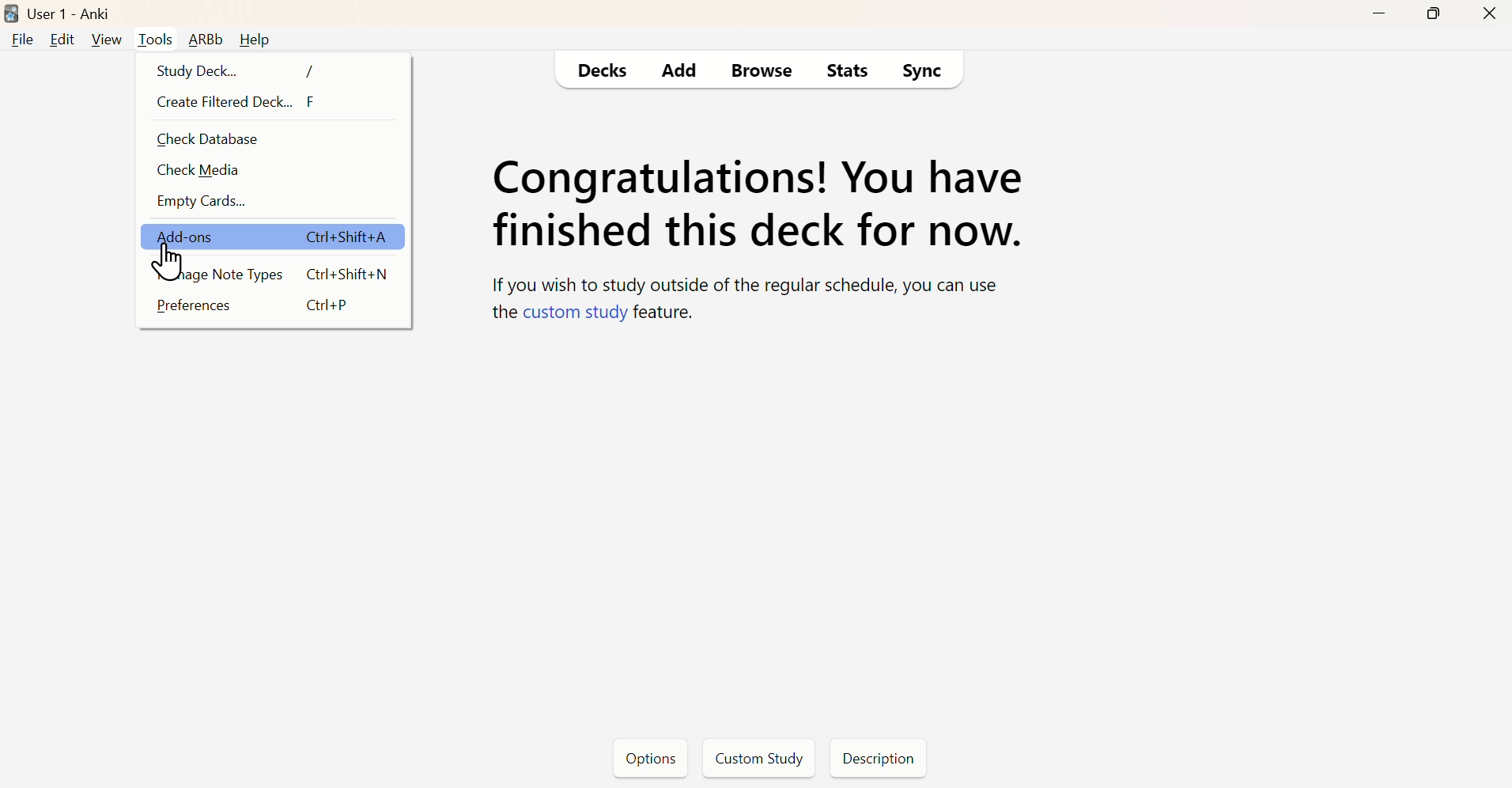  Describe the element at coordinates (200, 137) in the screenshot. I see `Check Database` at that location.